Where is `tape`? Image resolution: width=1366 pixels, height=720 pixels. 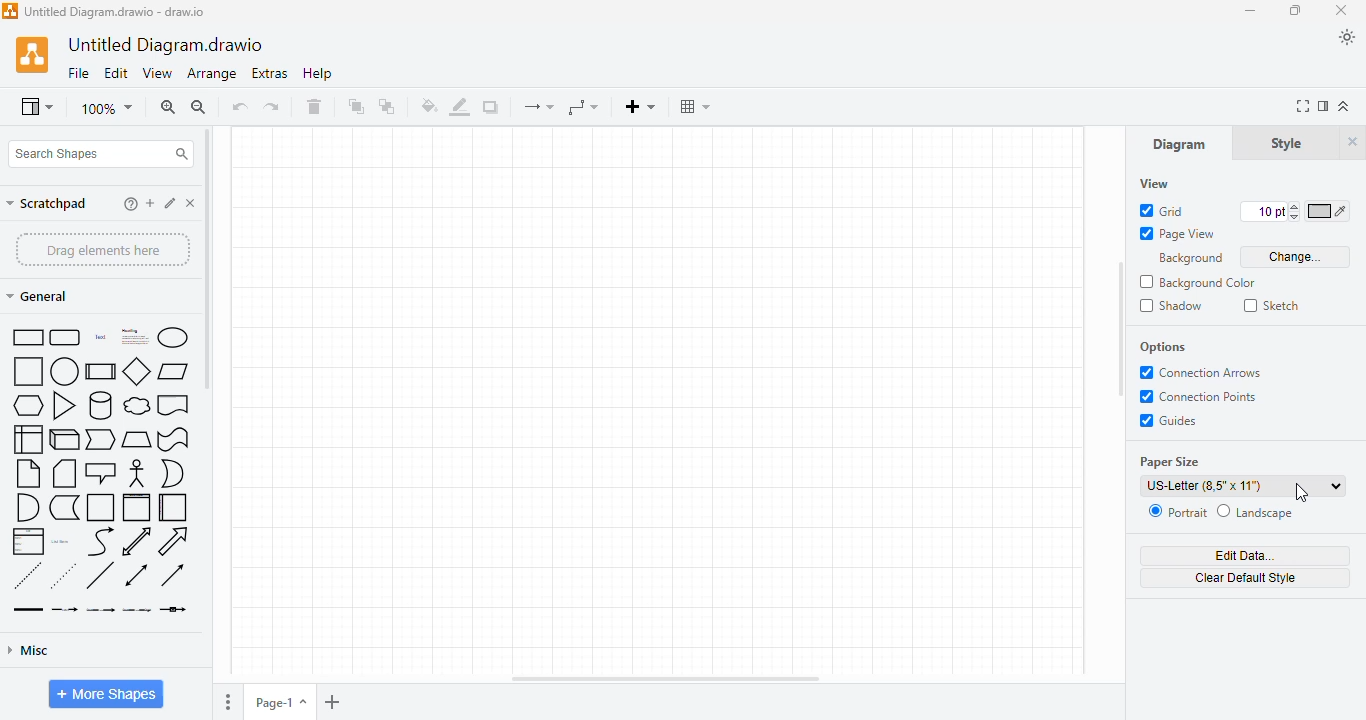
tape is located at coordinates (174, 440).